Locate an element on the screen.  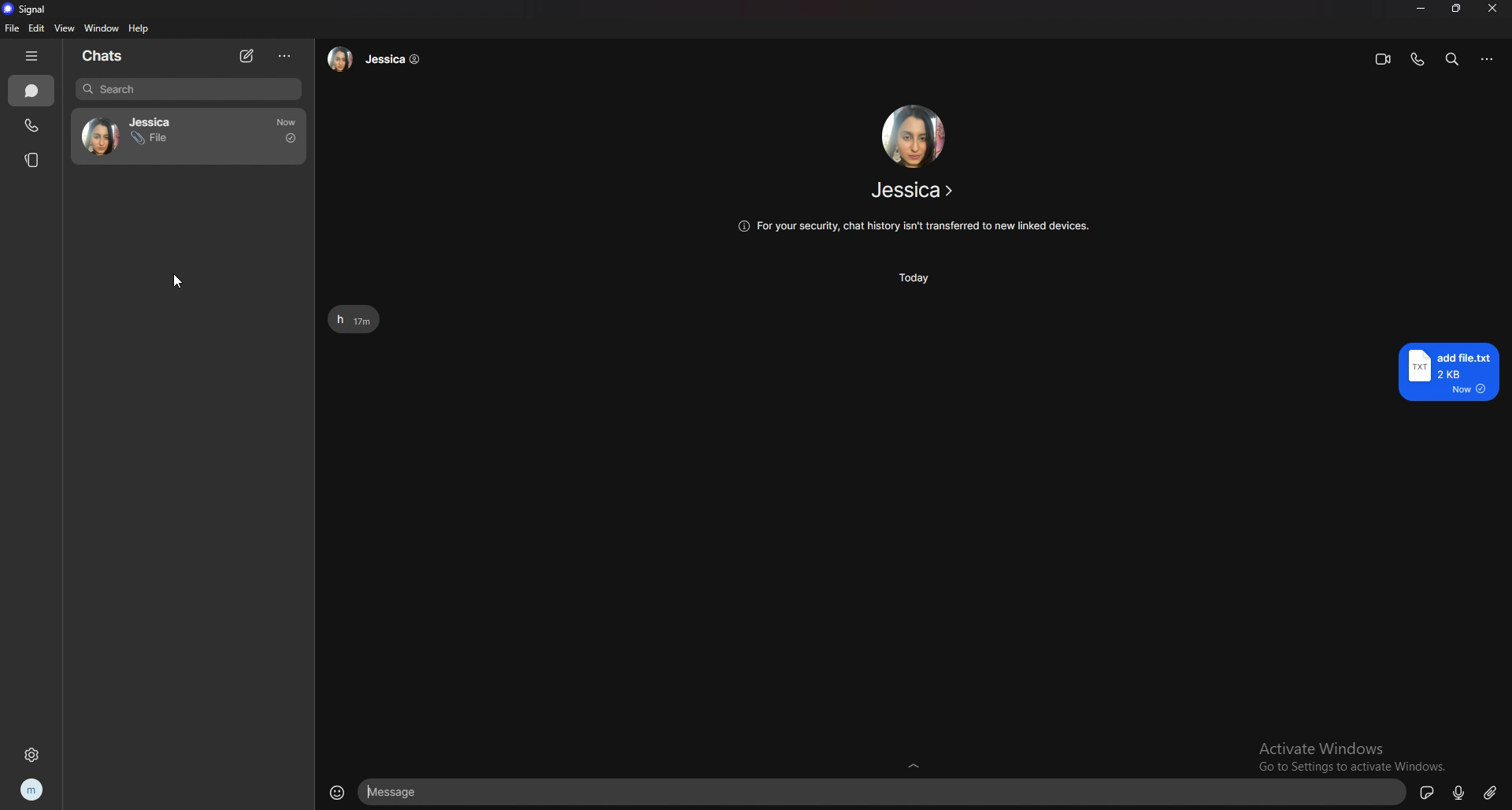
voite type is located at coordinates (1461, 792).